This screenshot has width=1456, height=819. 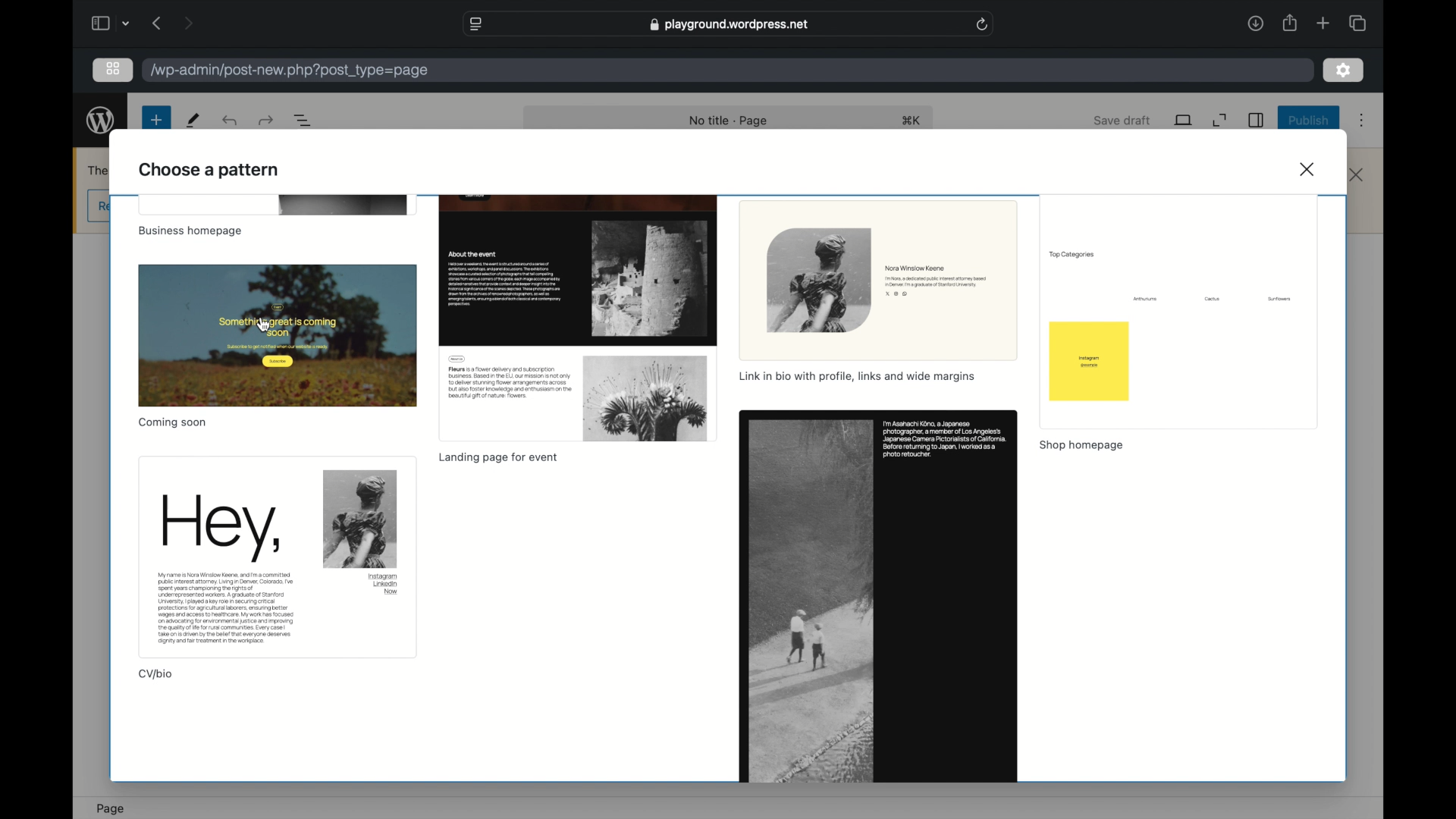 What do you see at coordinates (158, 24) in the screenshot?
I see `previous page` at bounding box center [158, 24].